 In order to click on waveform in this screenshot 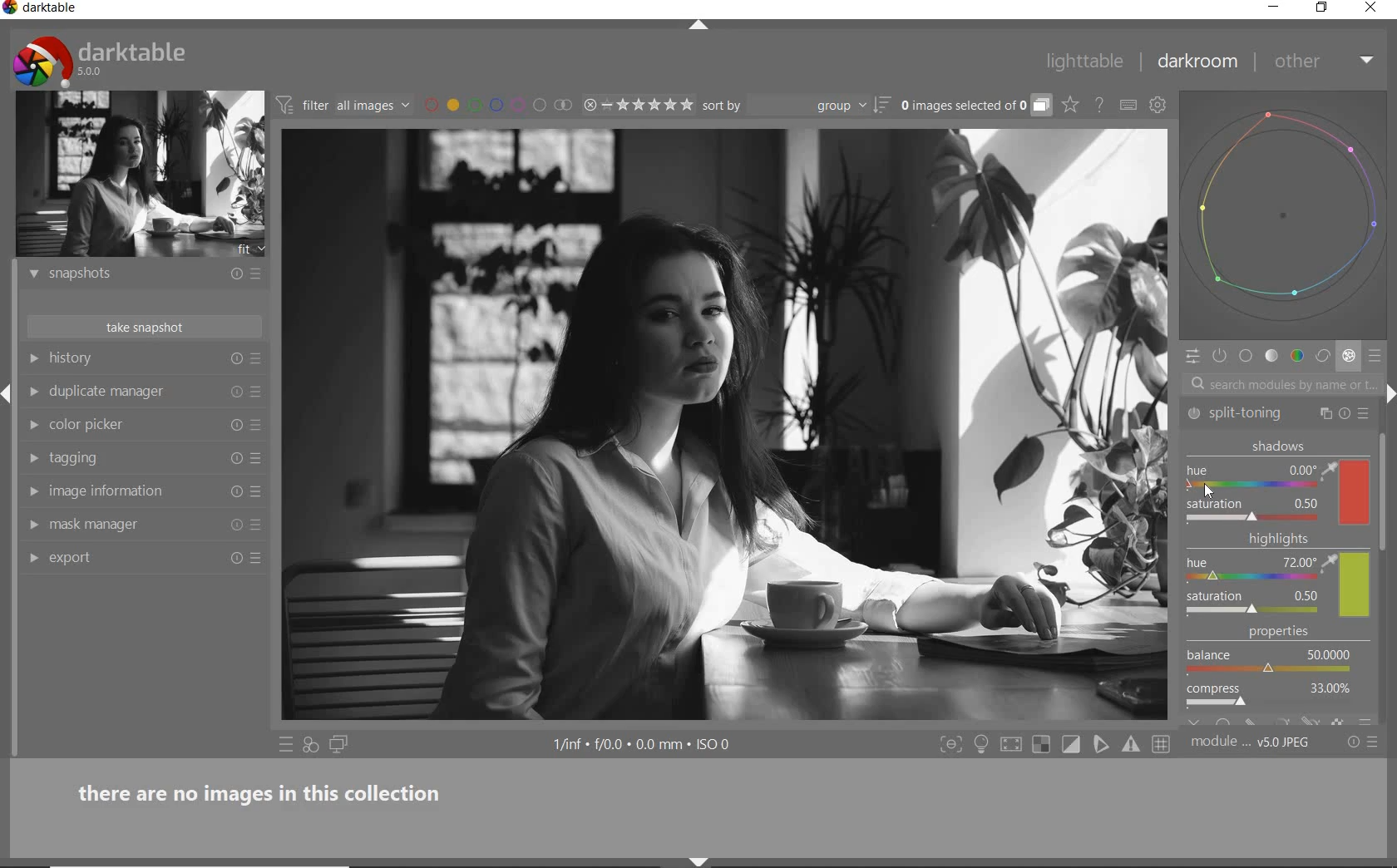, I will do `click(1291, 217)`.